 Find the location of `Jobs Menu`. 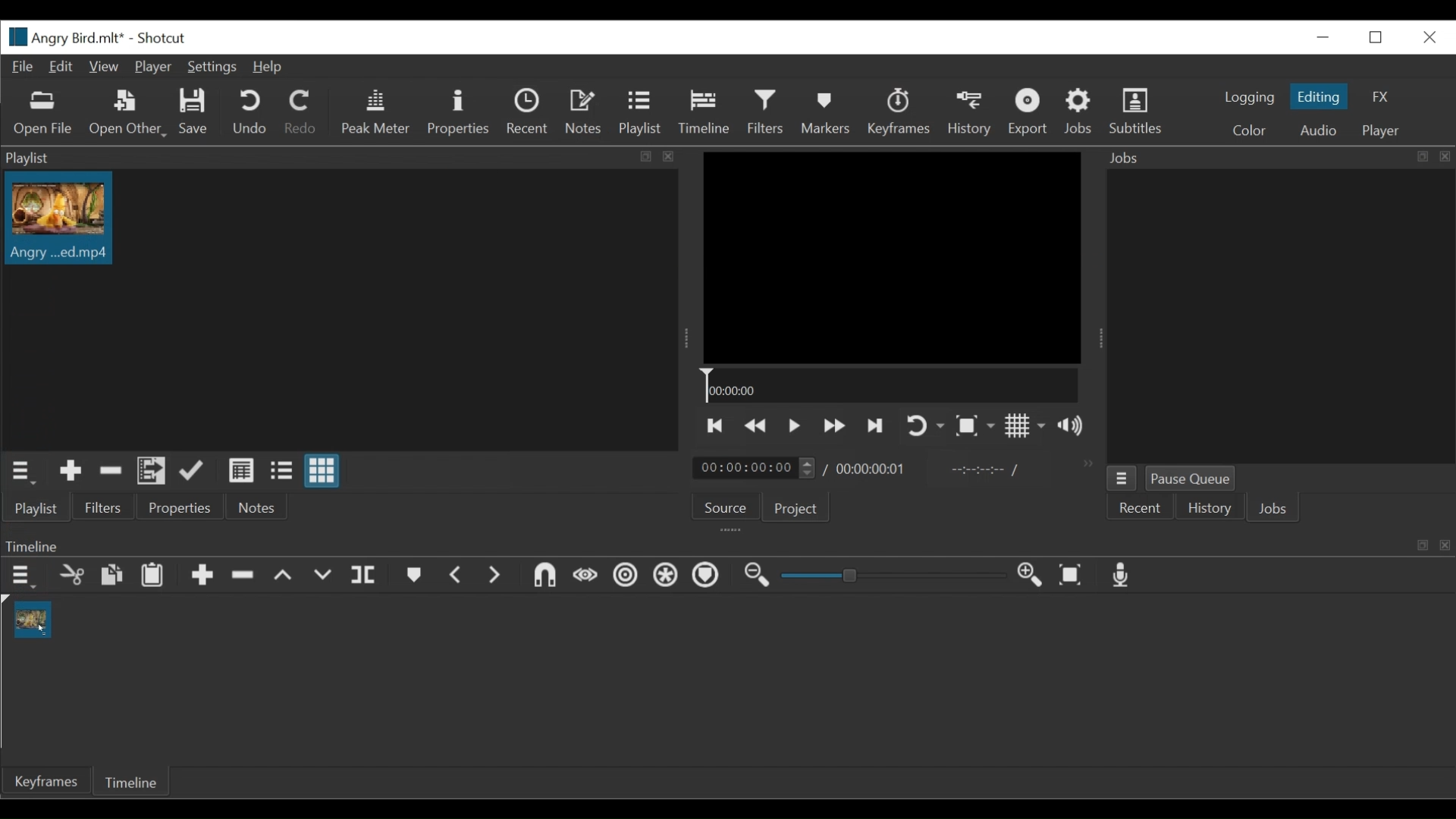

Jobs Menu is located at coordinates (1122, 480).